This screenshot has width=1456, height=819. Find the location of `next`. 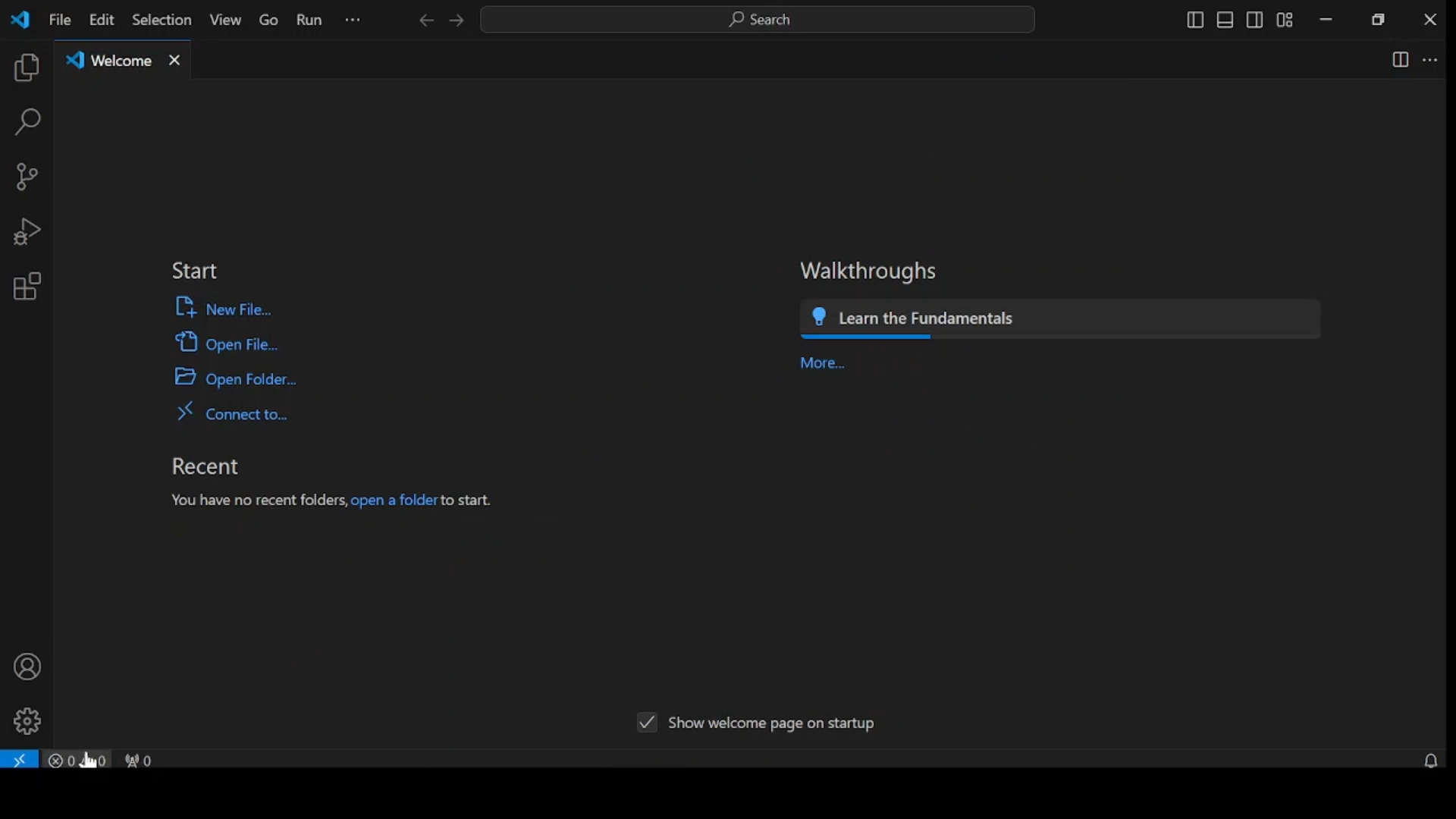

next is located at coordinates (456, 20).